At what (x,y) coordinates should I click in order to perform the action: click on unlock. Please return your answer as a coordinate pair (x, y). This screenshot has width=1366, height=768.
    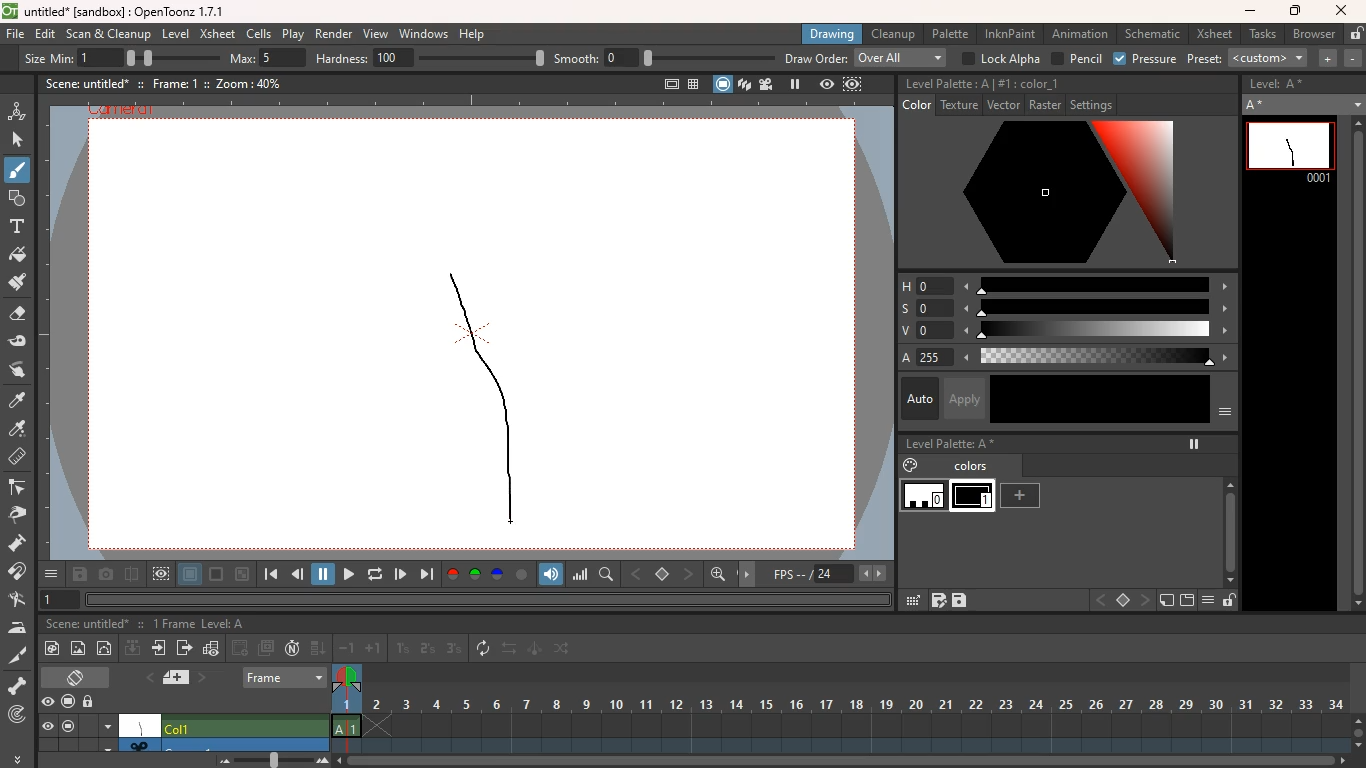
    Looking at the image, I should click on (1354, 34).